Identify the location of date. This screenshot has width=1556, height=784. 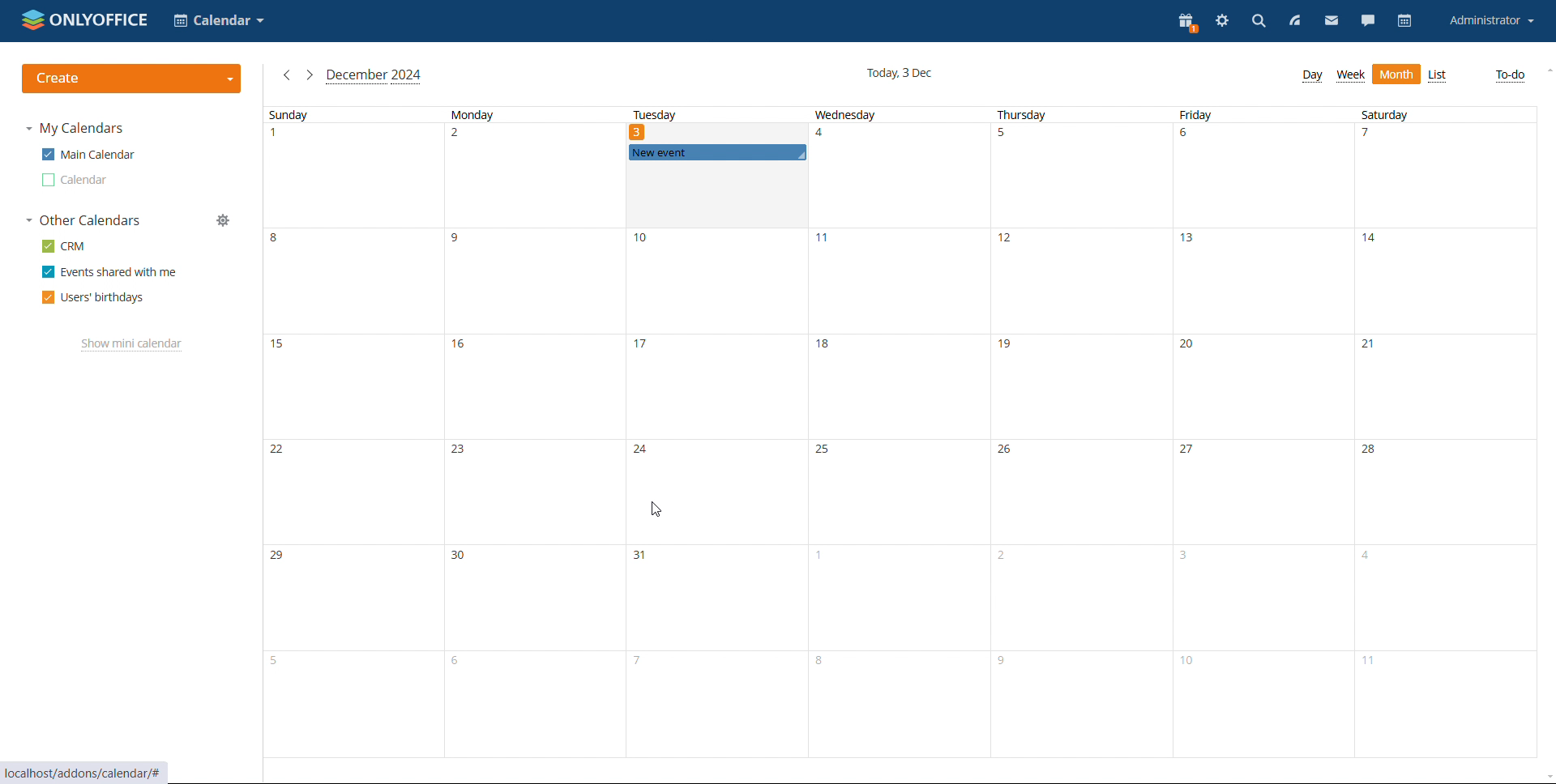
(1263, 177).